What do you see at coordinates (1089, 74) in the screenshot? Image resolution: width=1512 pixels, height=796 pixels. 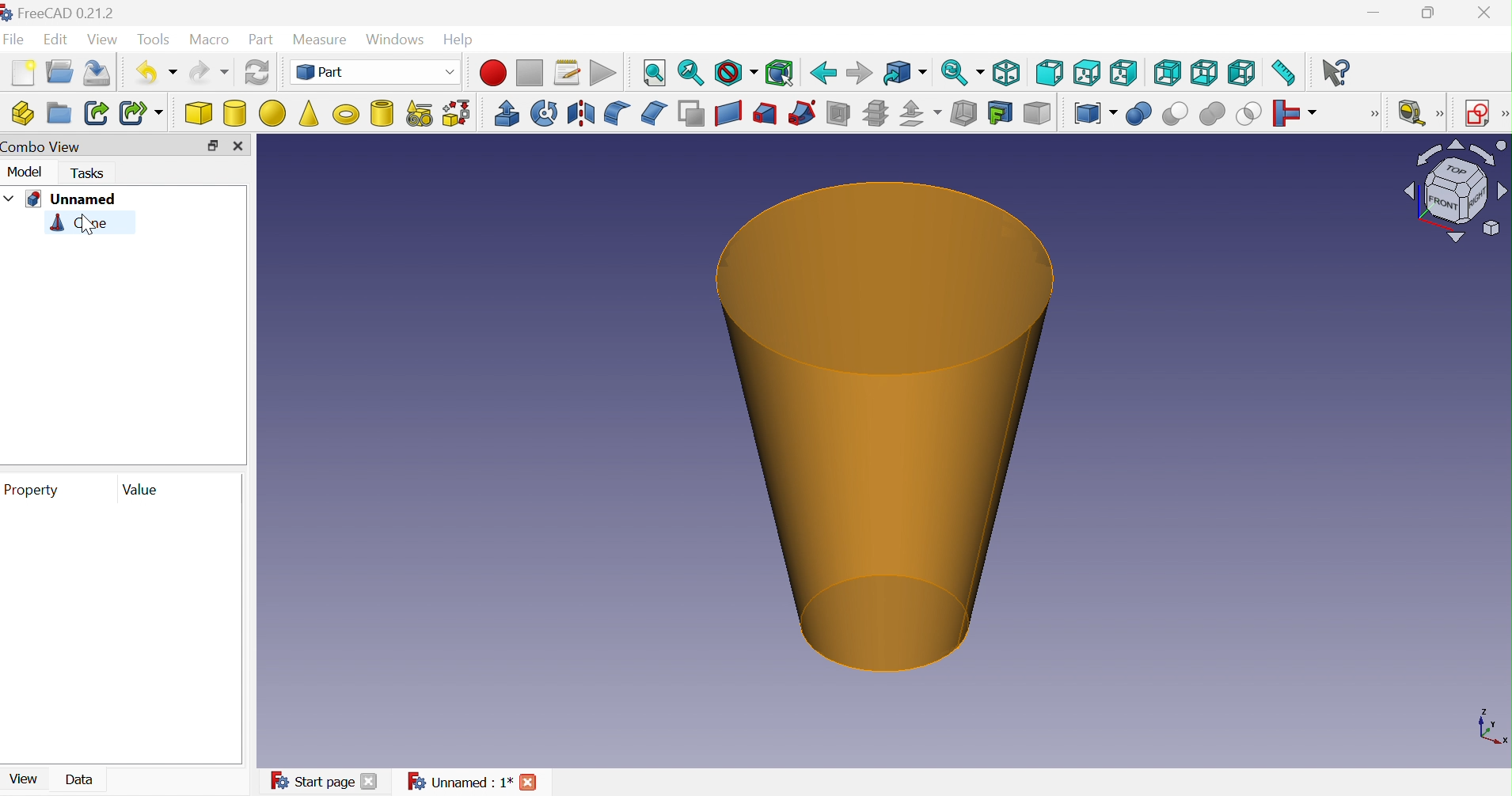 I see `Top` at bounding box center [1089, 74].